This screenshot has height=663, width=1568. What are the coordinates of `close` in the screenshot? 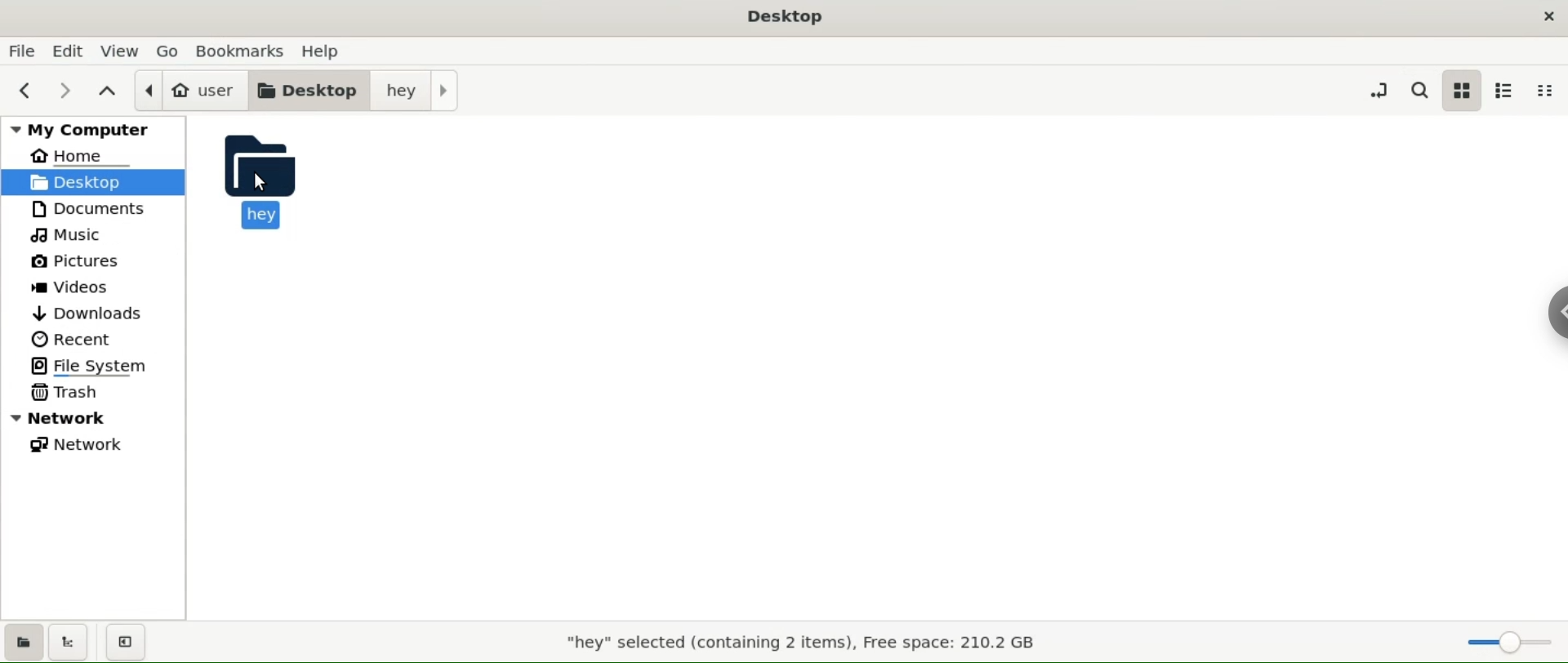 It's located at (1546, 16).